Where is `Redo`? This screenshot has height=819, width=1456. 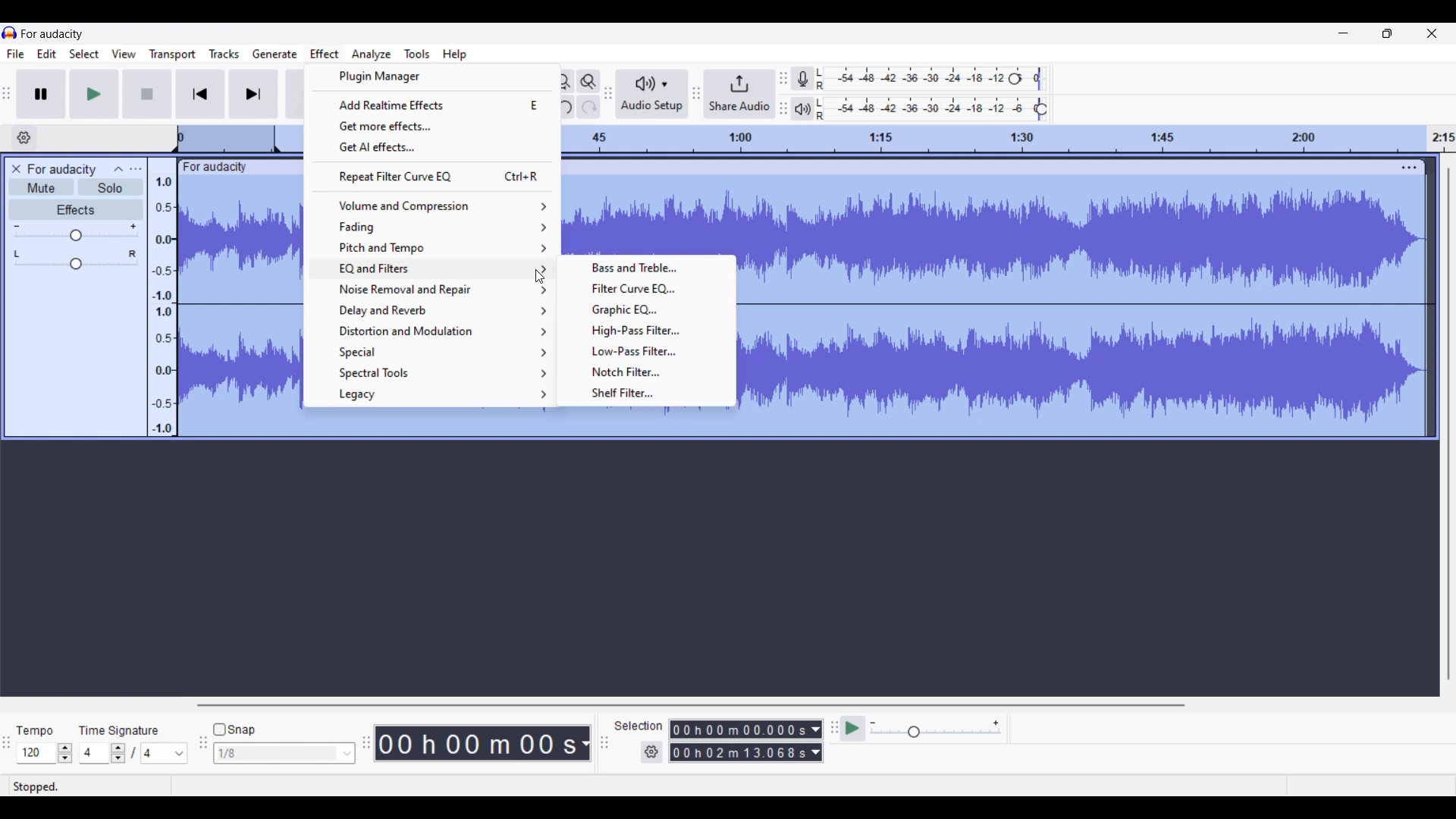
Redo is located at coordinates (588, 106).